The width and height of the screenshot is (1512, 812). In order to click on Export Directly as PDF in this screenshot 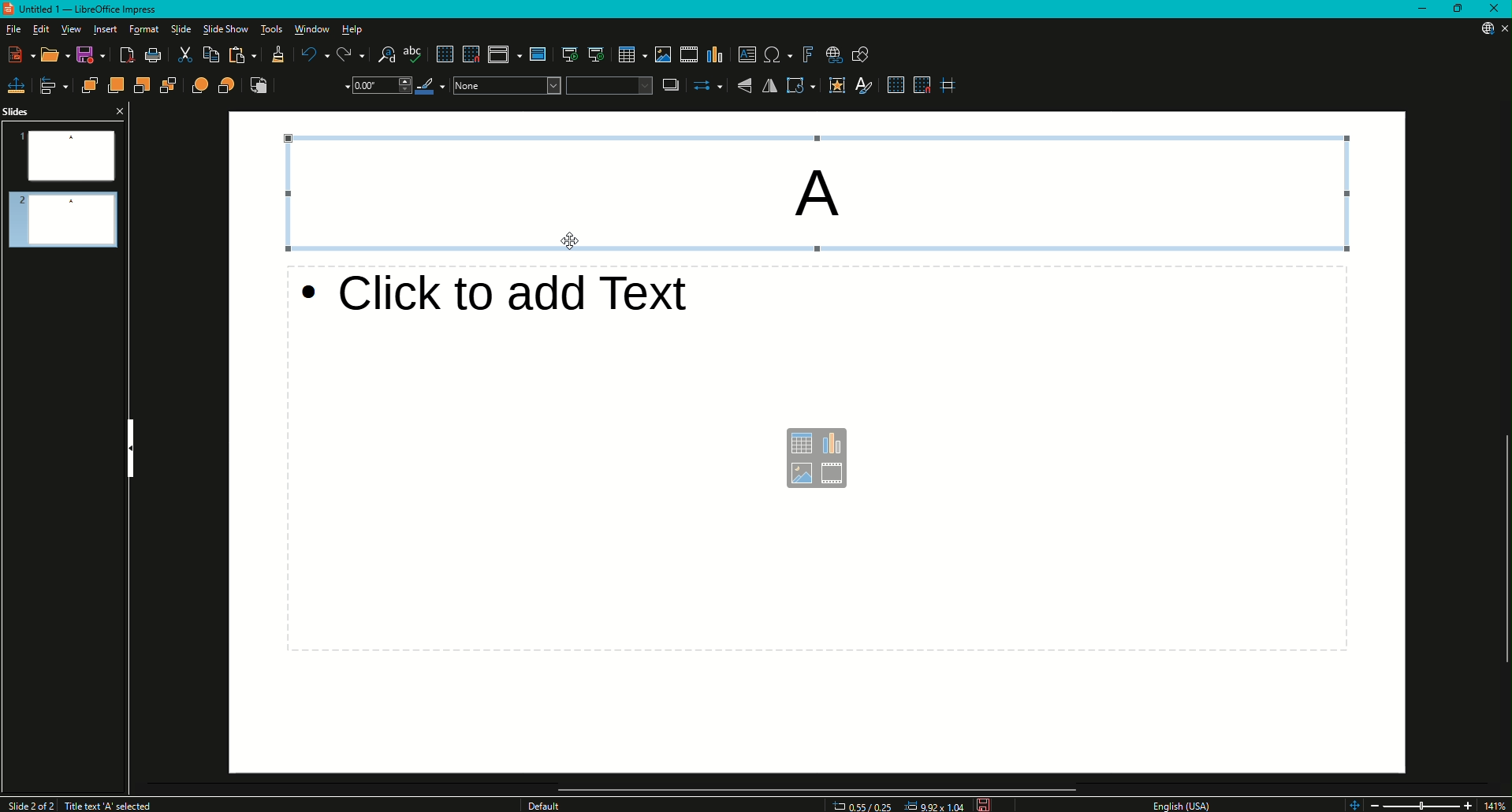, I will do `click(126, 55)`.